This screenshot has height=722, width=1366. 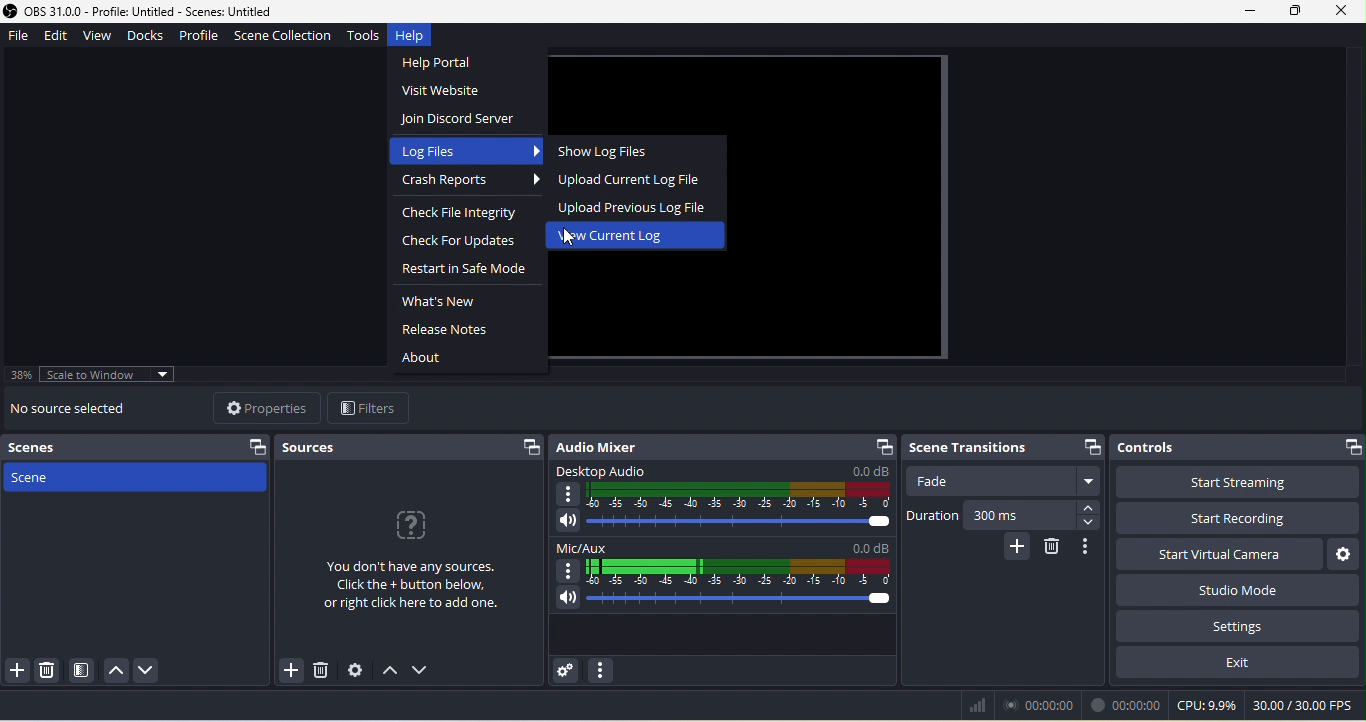 I want to click on help, so click(x=417, y=36).